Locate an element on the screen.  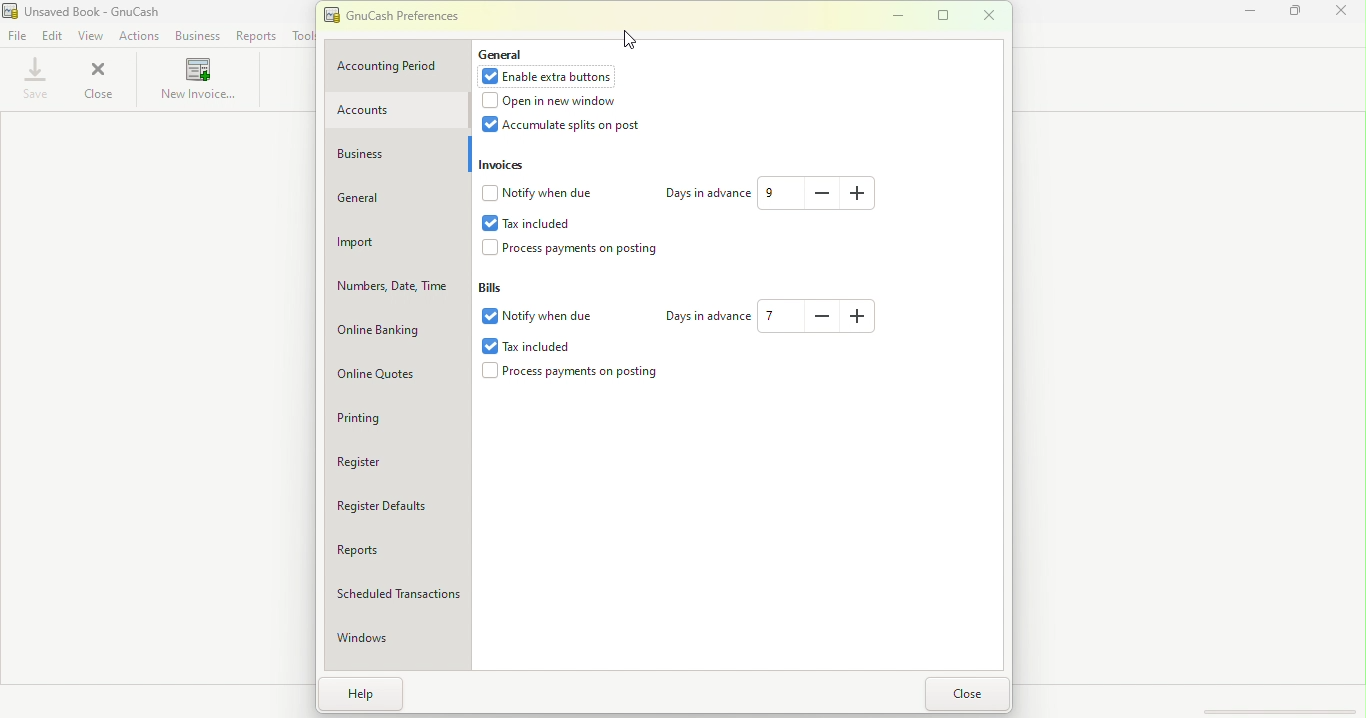
Notify when due is located at coordinates (537, 317).